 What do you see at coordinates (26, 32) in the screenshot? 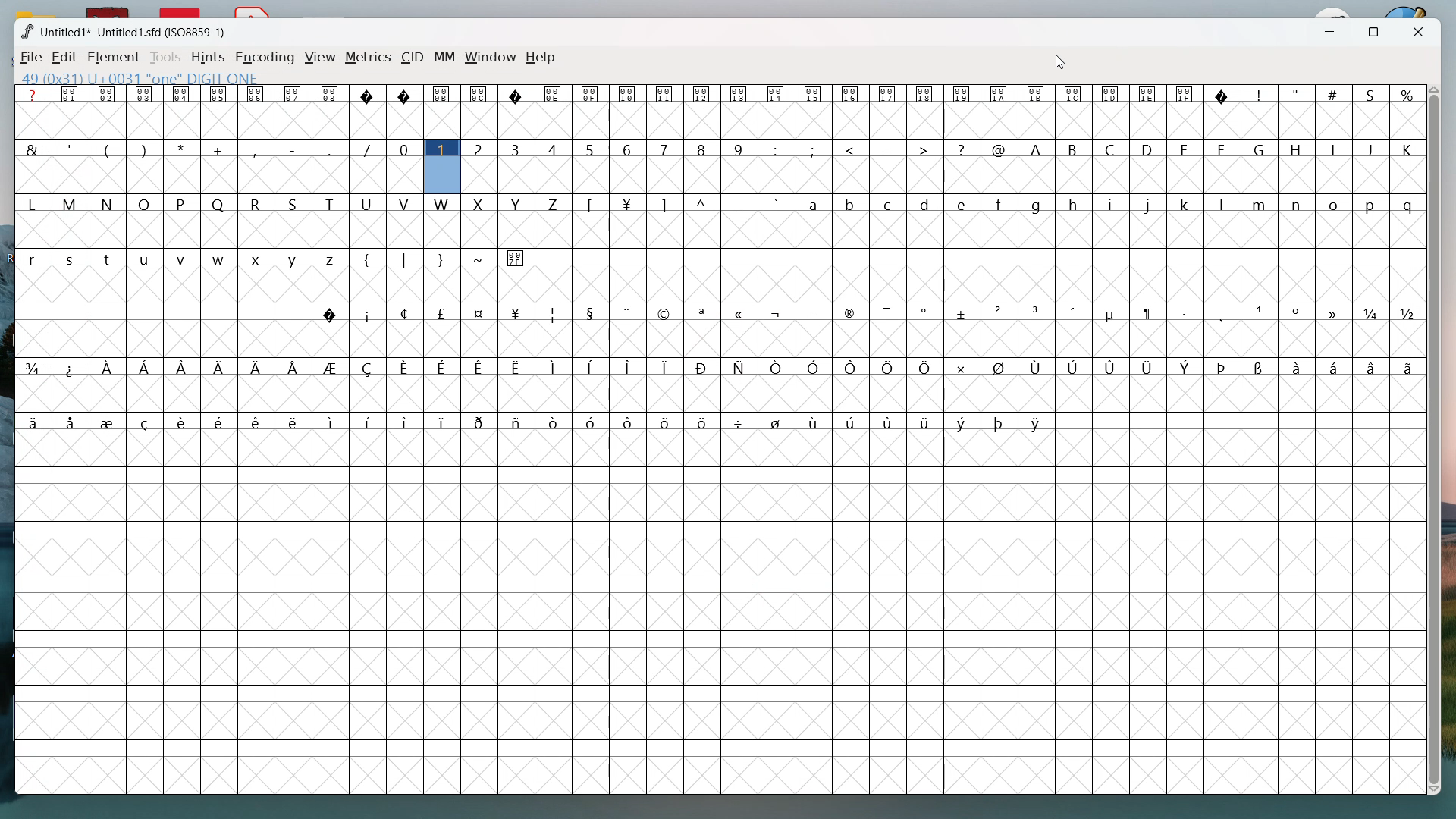
I see `logo` at bounding box center [26, 32].